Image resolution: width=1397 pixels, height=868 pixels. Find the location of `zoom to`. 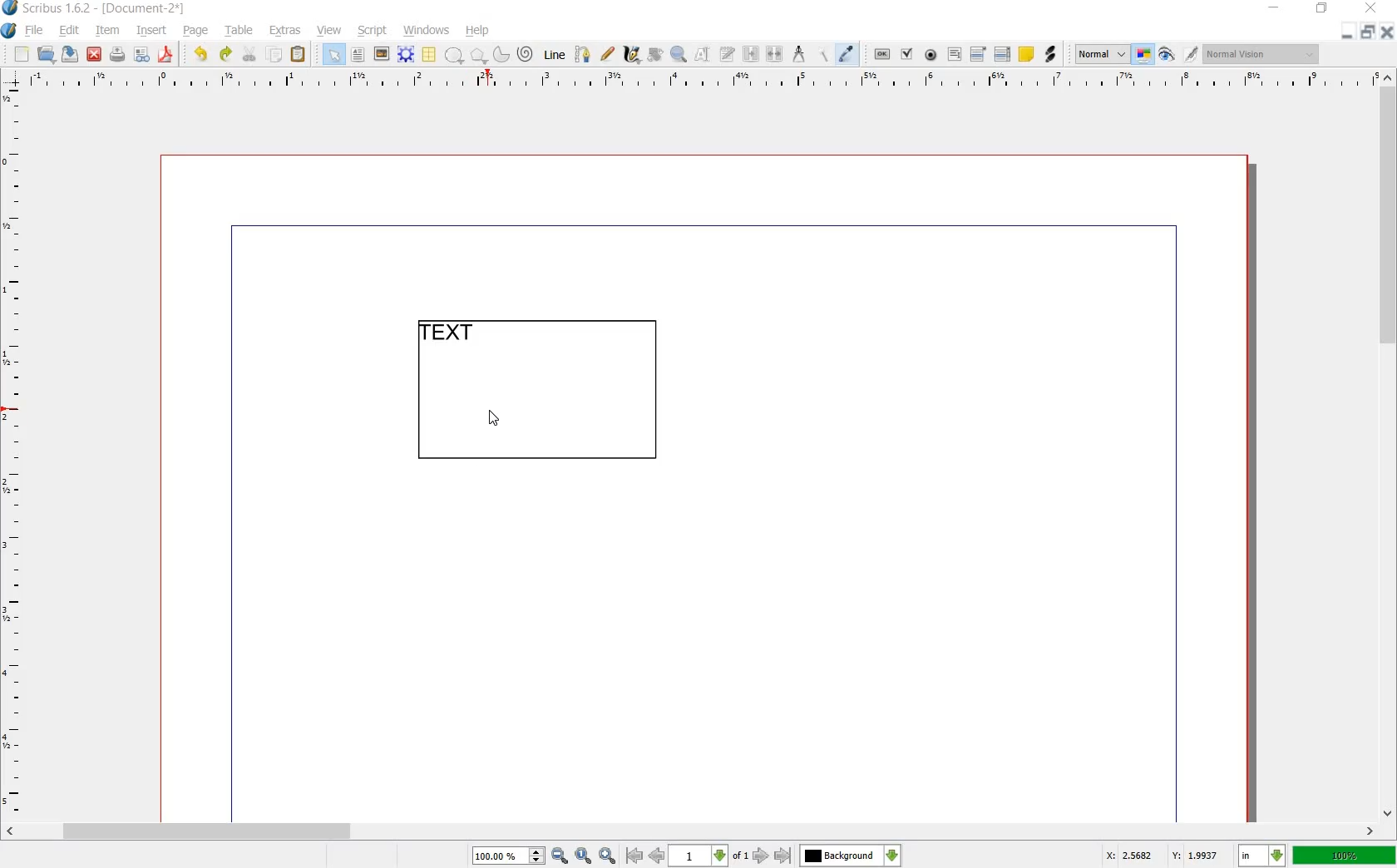

zoom to is located at coordinates (584, 856).